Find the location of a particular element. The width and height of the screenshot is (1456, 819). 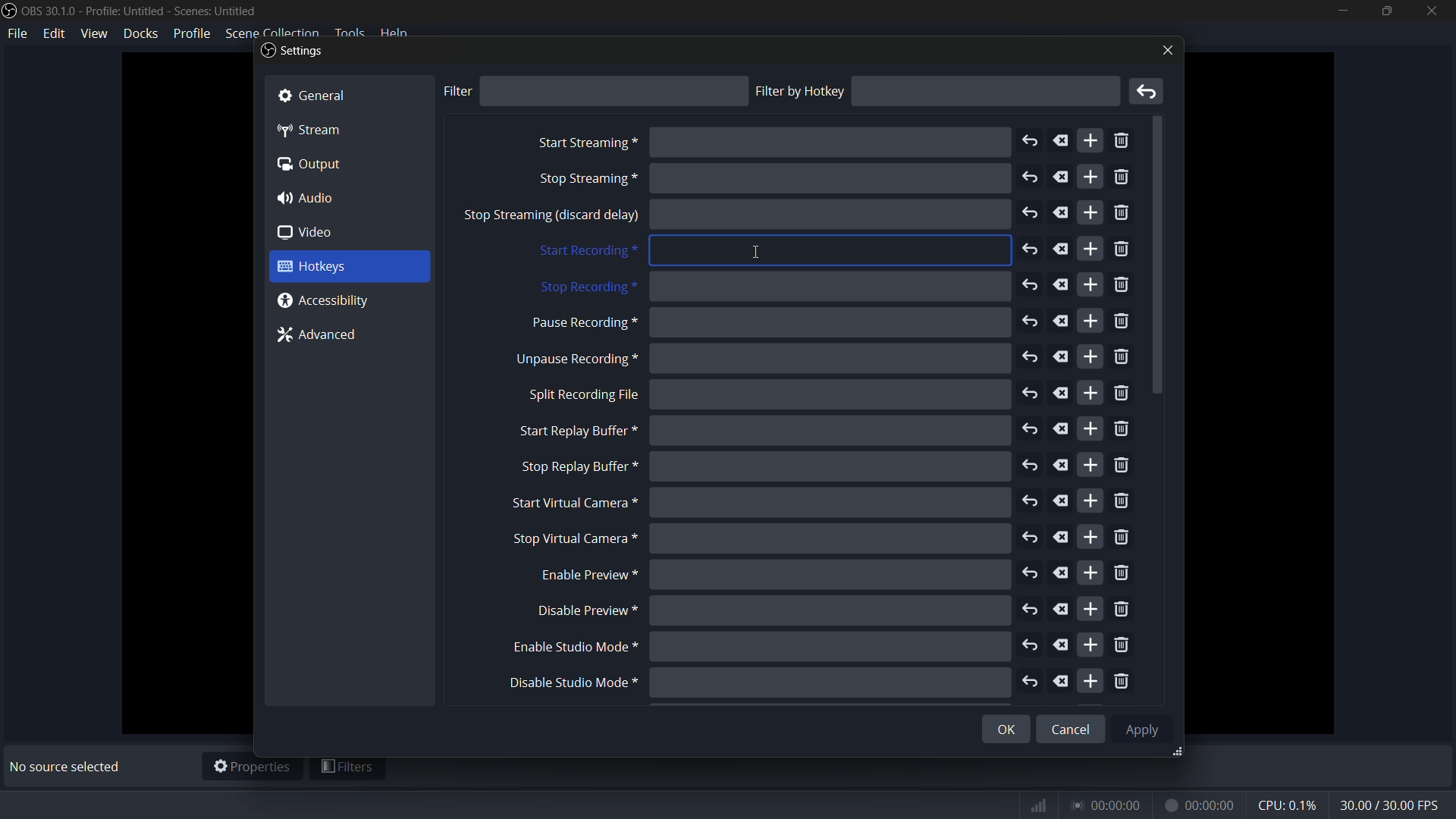

add more is located at coordinates (1088, 284).